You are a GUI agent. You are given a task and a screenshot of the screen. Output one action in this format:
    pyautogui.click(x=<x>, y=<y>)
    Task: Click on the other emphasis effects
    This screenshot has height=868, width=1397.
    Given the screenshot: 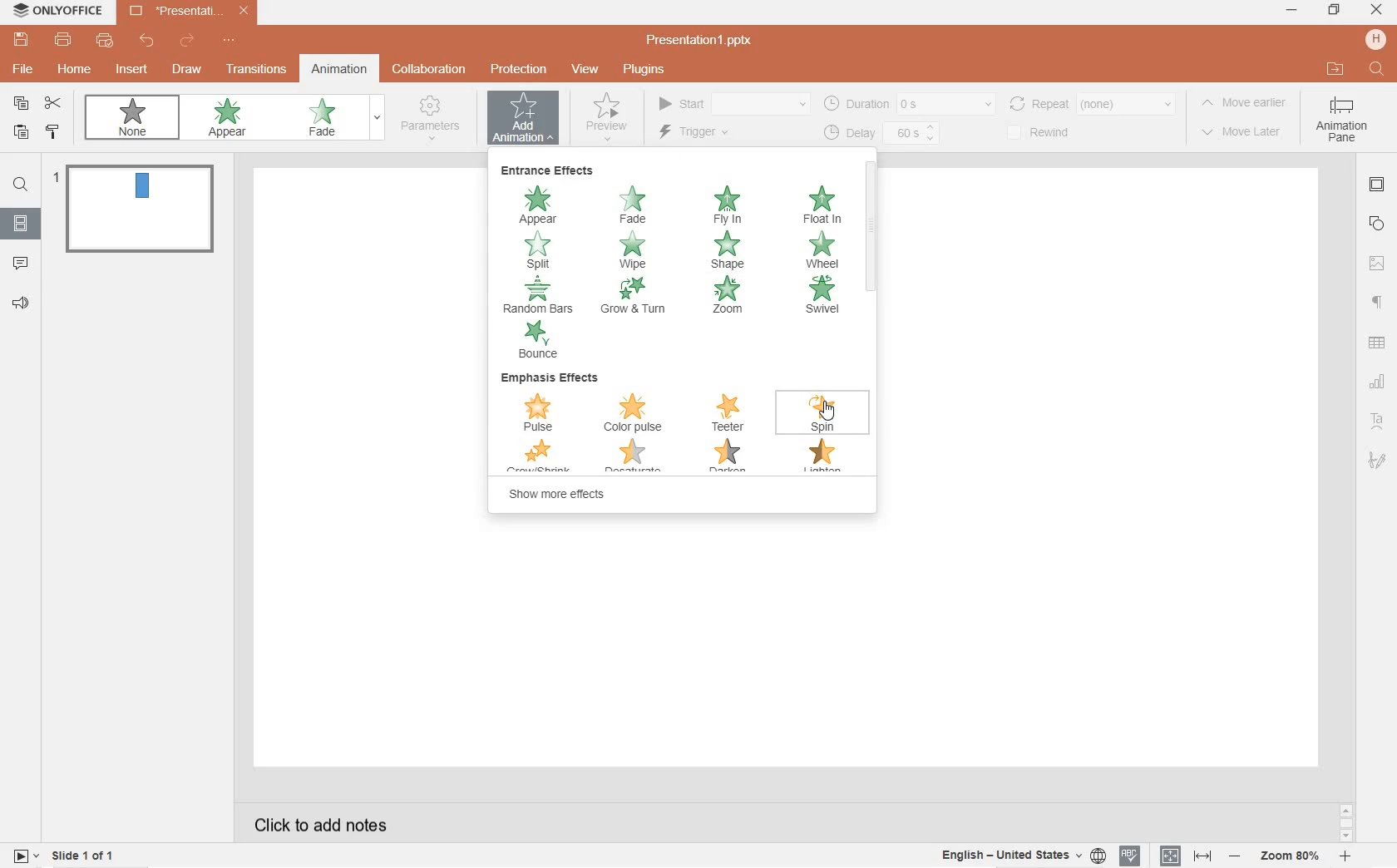 What is the action you would take?
    pyautogui.click(x=684, y=459)
    